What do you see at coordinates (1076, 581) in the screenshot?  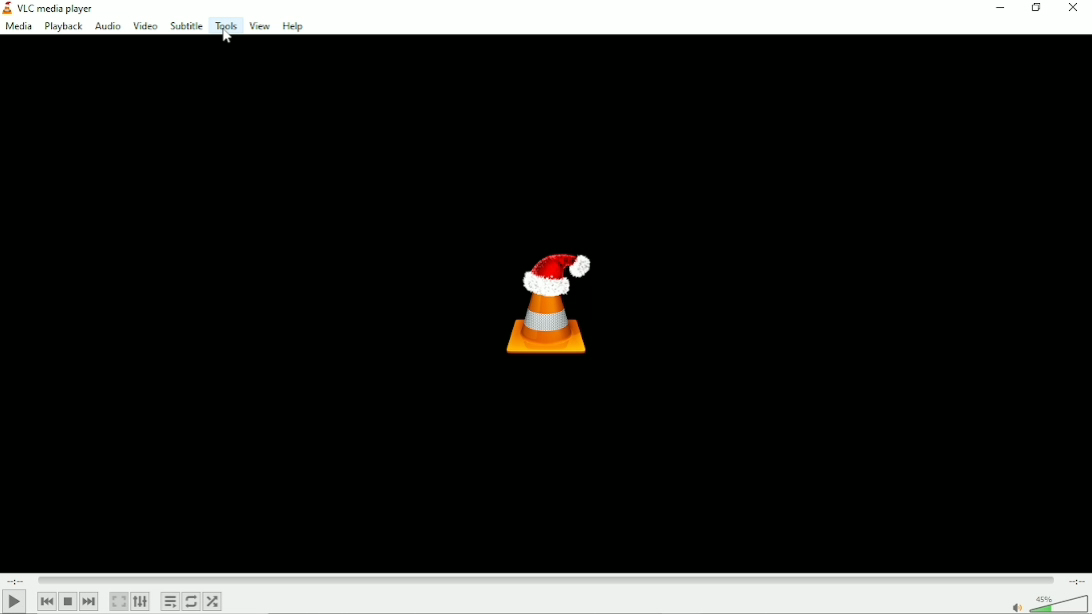 I see `Total duration` at bounding box center [1076, 581].